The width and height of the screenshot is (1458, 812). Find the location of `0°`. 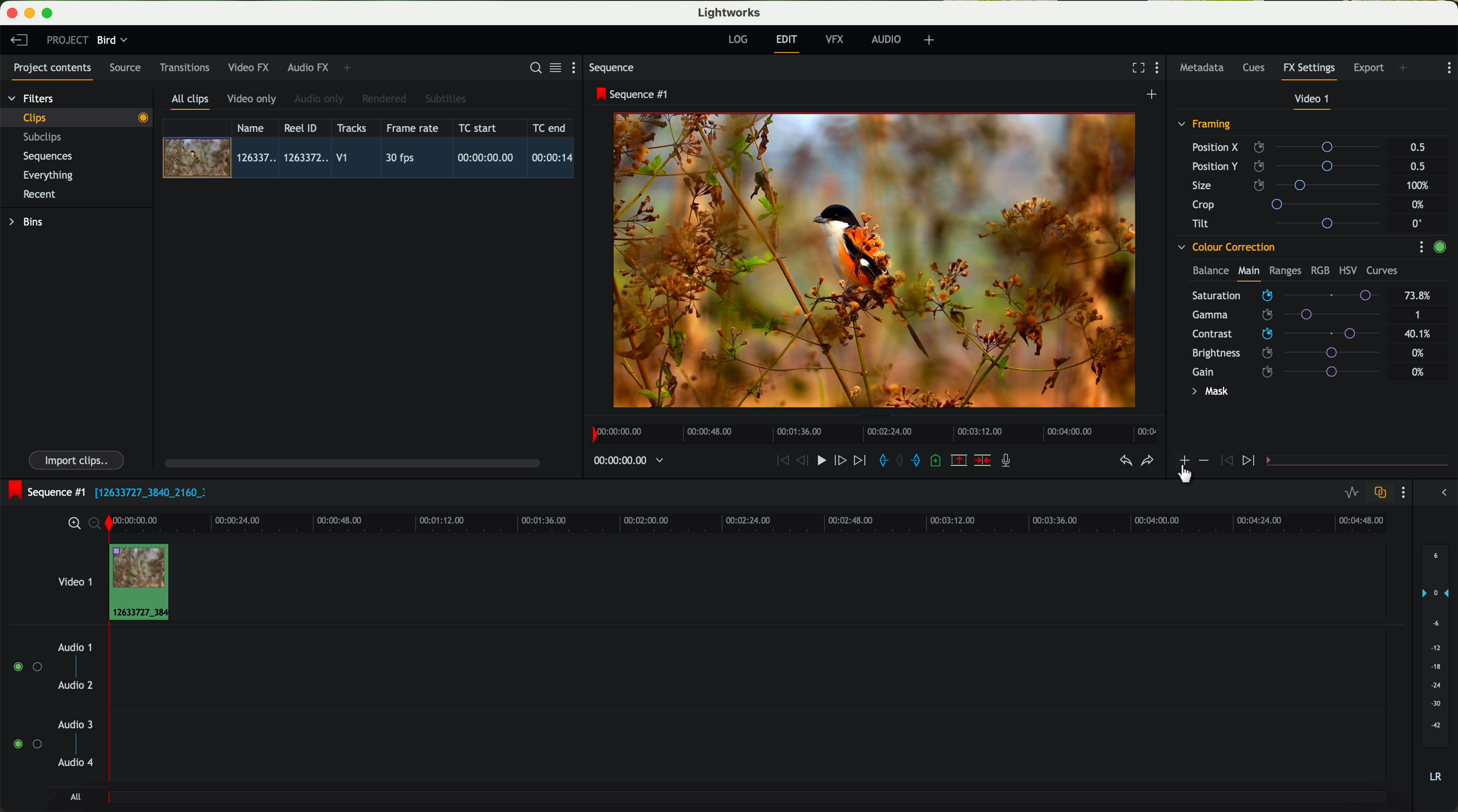

0° is located at coordinates (1418, 223).